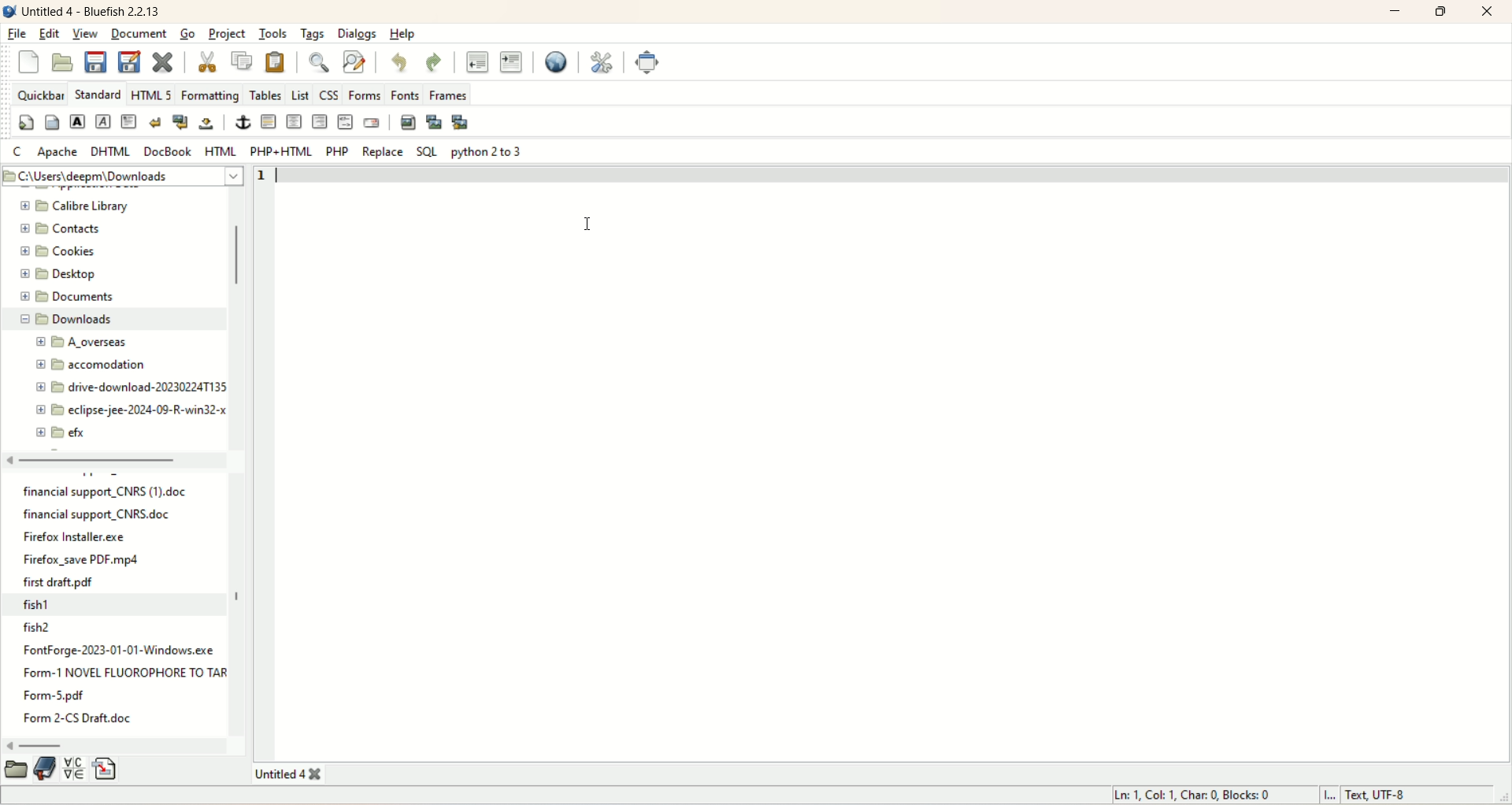 This screenshot has width=1512, height=805. I want to click on python 2 to 3, so click(488, 153).